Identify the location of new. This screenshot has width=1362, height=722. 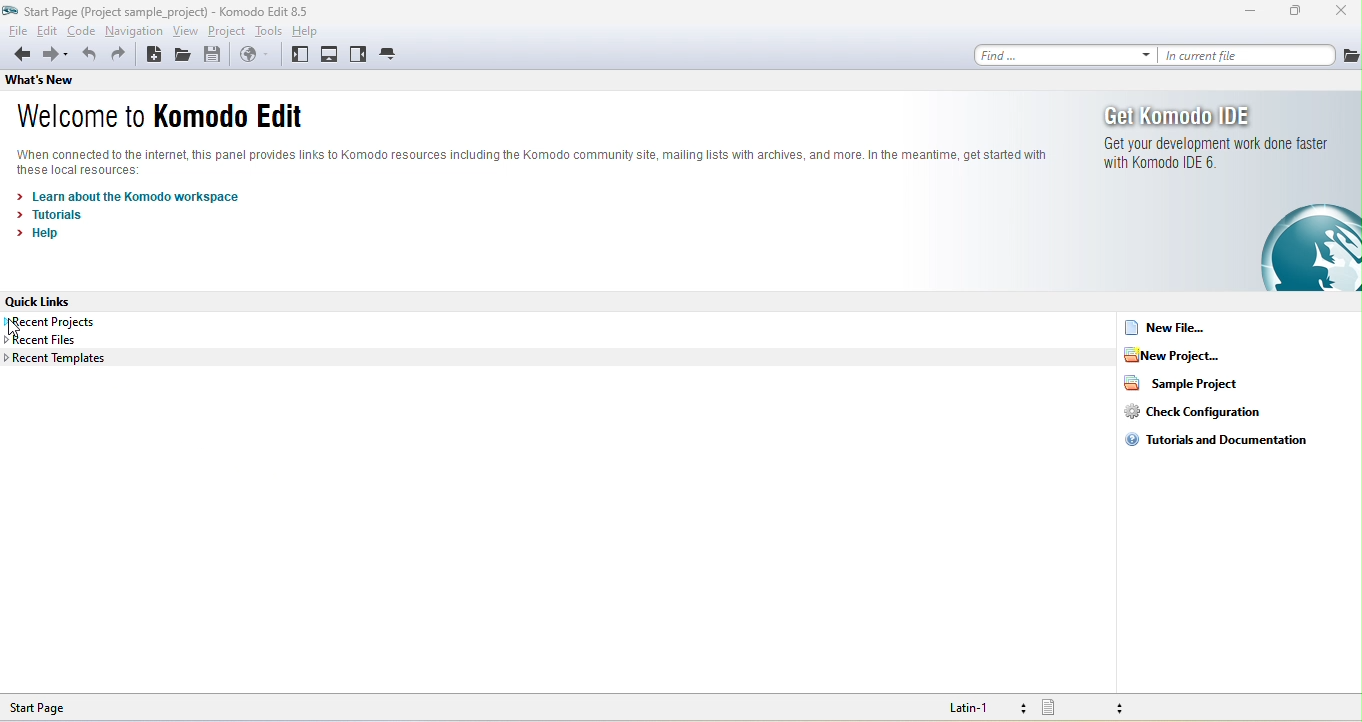
(152, 55).